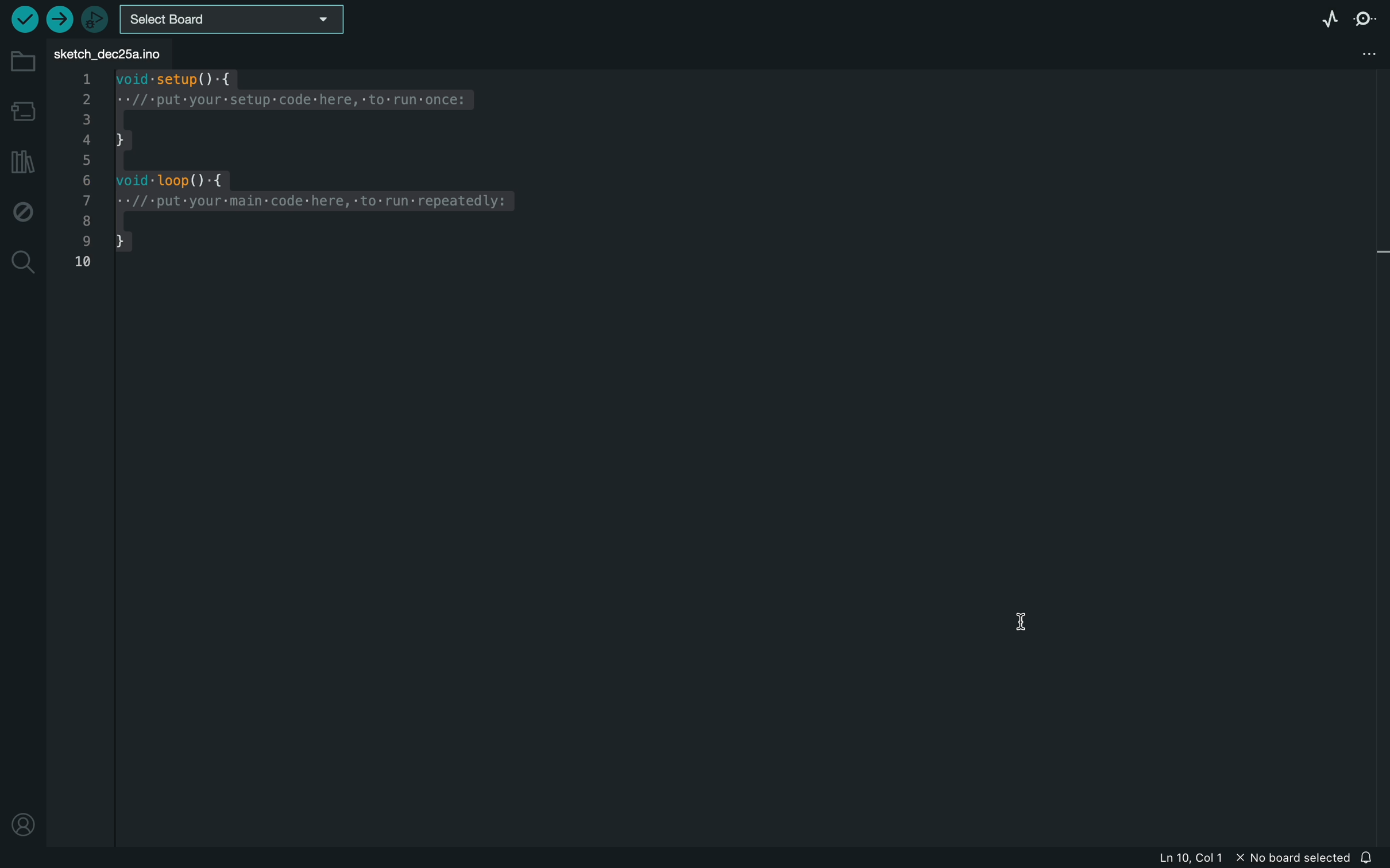 The width and height of the screenshot is (1390, 868). What do you see at coordinates (1371, 857) in the screenshot?
I see `notification` at bounding box center [1371, 857].